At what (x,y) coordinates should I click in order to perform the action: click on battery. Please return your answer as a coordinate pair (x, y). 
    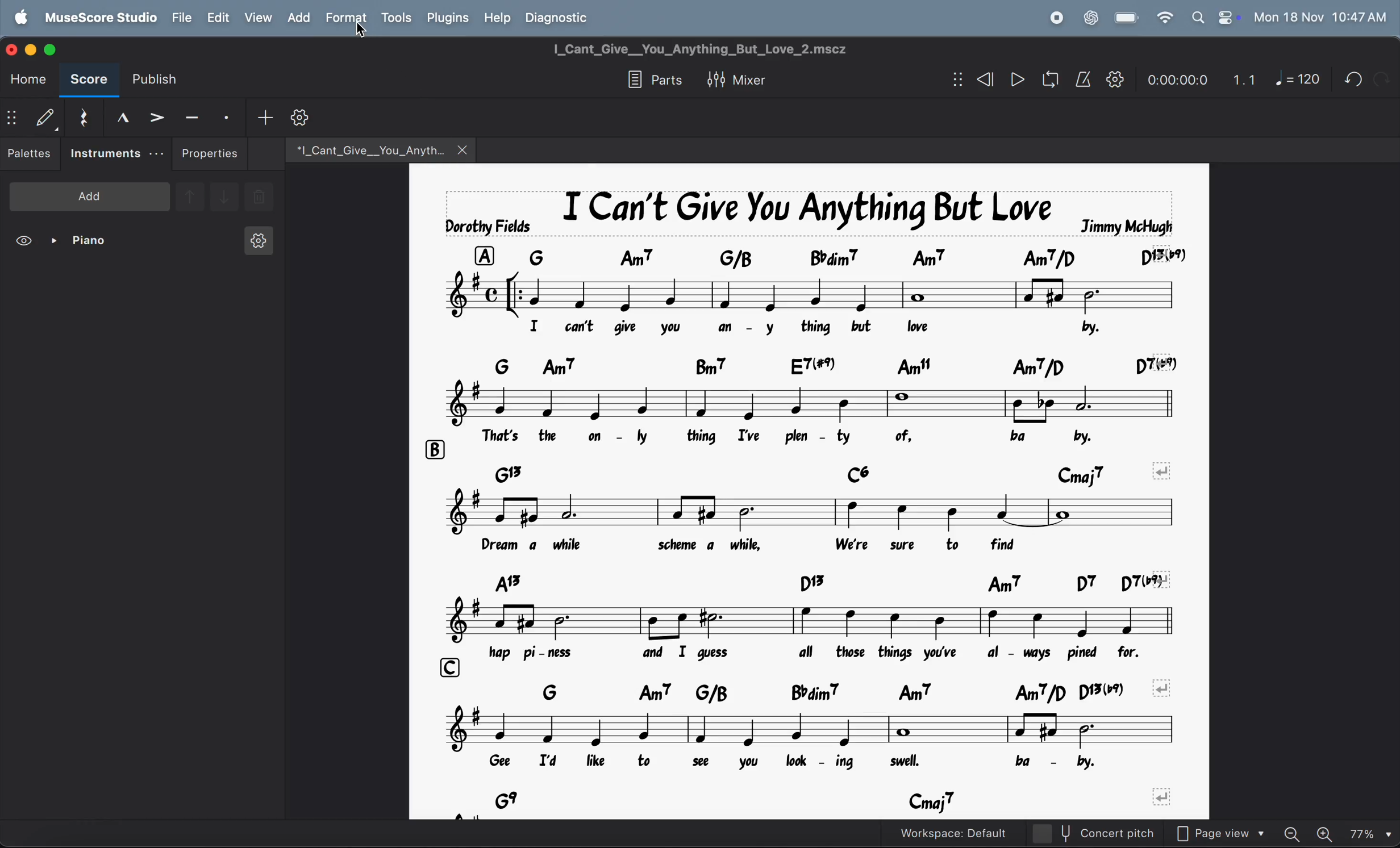
    Looking at the image, I should click on (1127, 18).